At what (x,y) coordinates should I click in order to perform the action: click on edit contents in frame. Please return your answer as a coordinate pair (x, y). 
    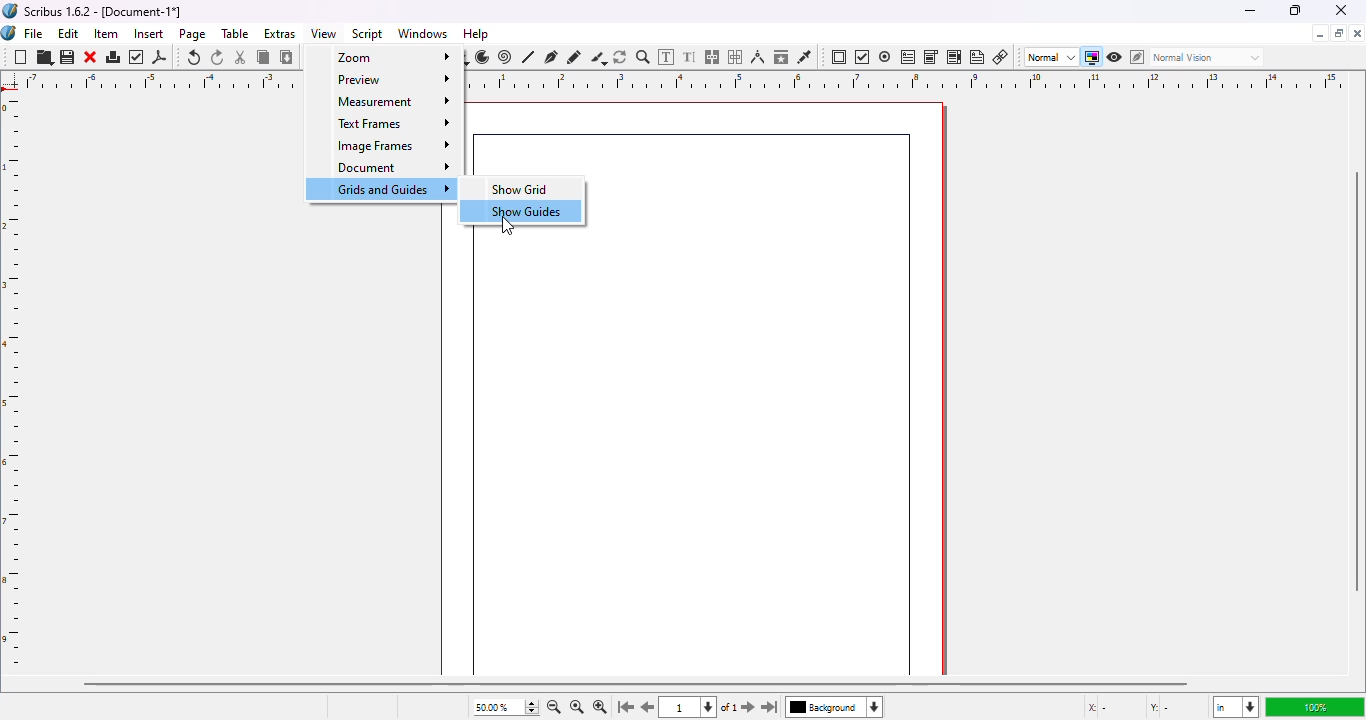
    Looking at the image, I should click on (667, 56).